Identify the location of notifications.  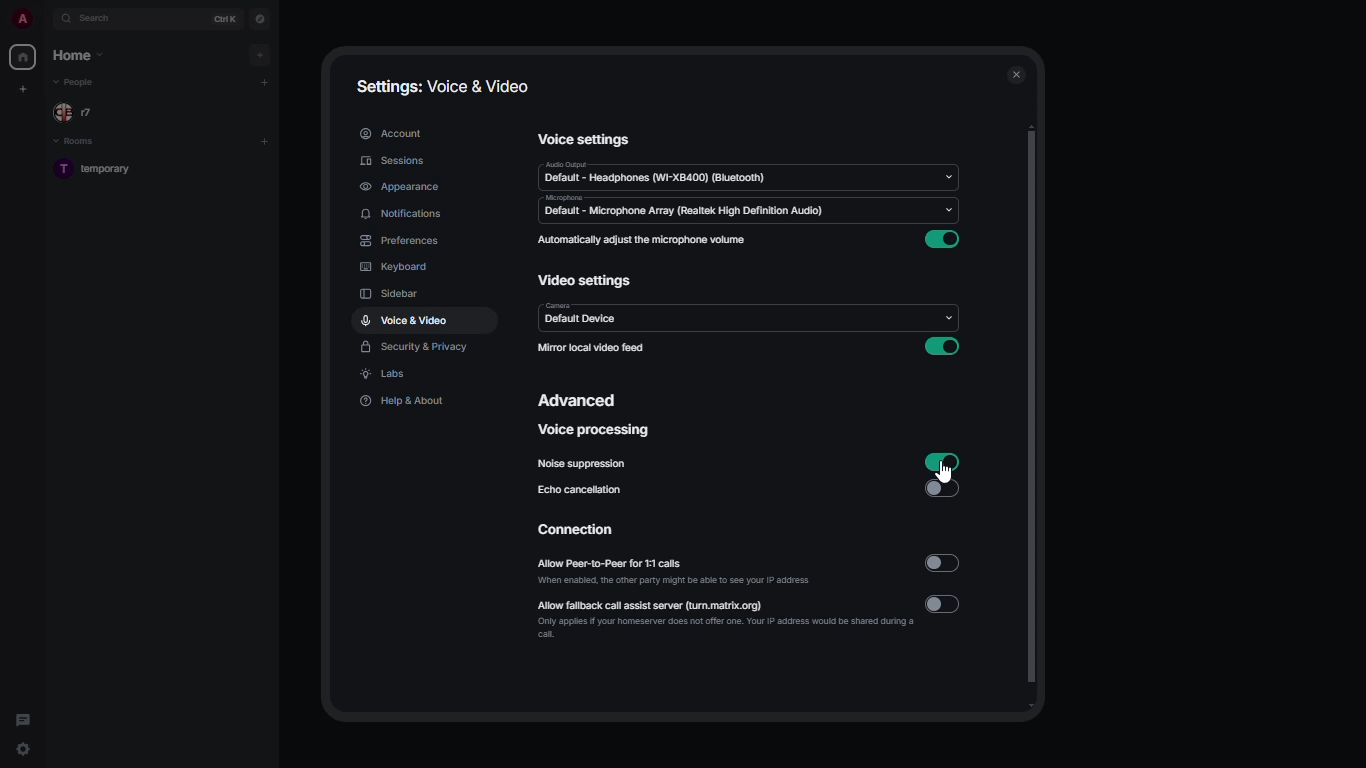
(410, 213).